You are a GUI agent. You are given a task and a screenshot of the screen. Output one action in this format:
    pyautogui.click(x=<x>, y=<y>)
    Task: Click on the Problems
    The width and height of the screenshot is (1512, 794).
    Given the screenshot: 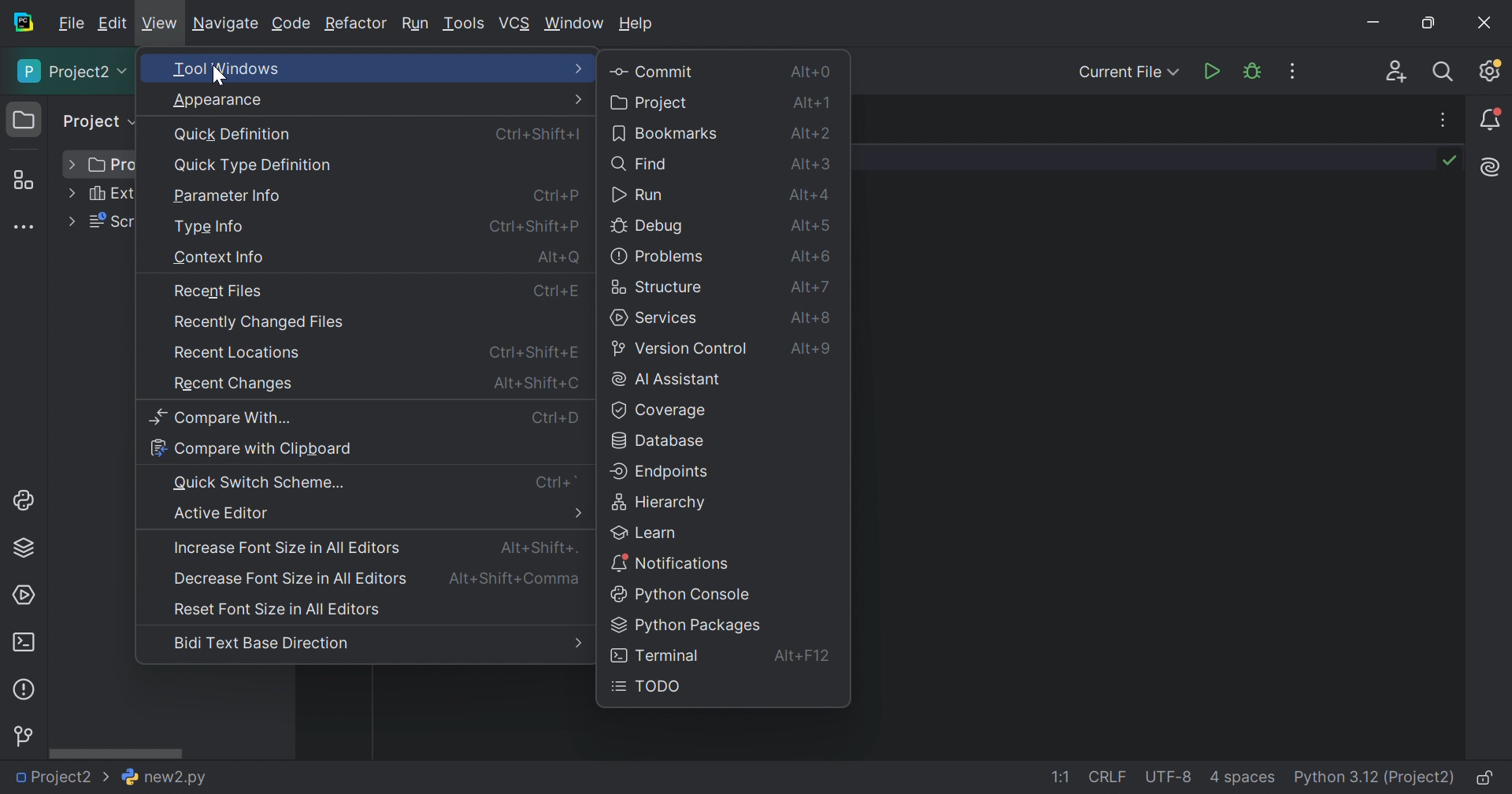 What is the action you would take?
    pyautogui.click(x=26, y=689)
    